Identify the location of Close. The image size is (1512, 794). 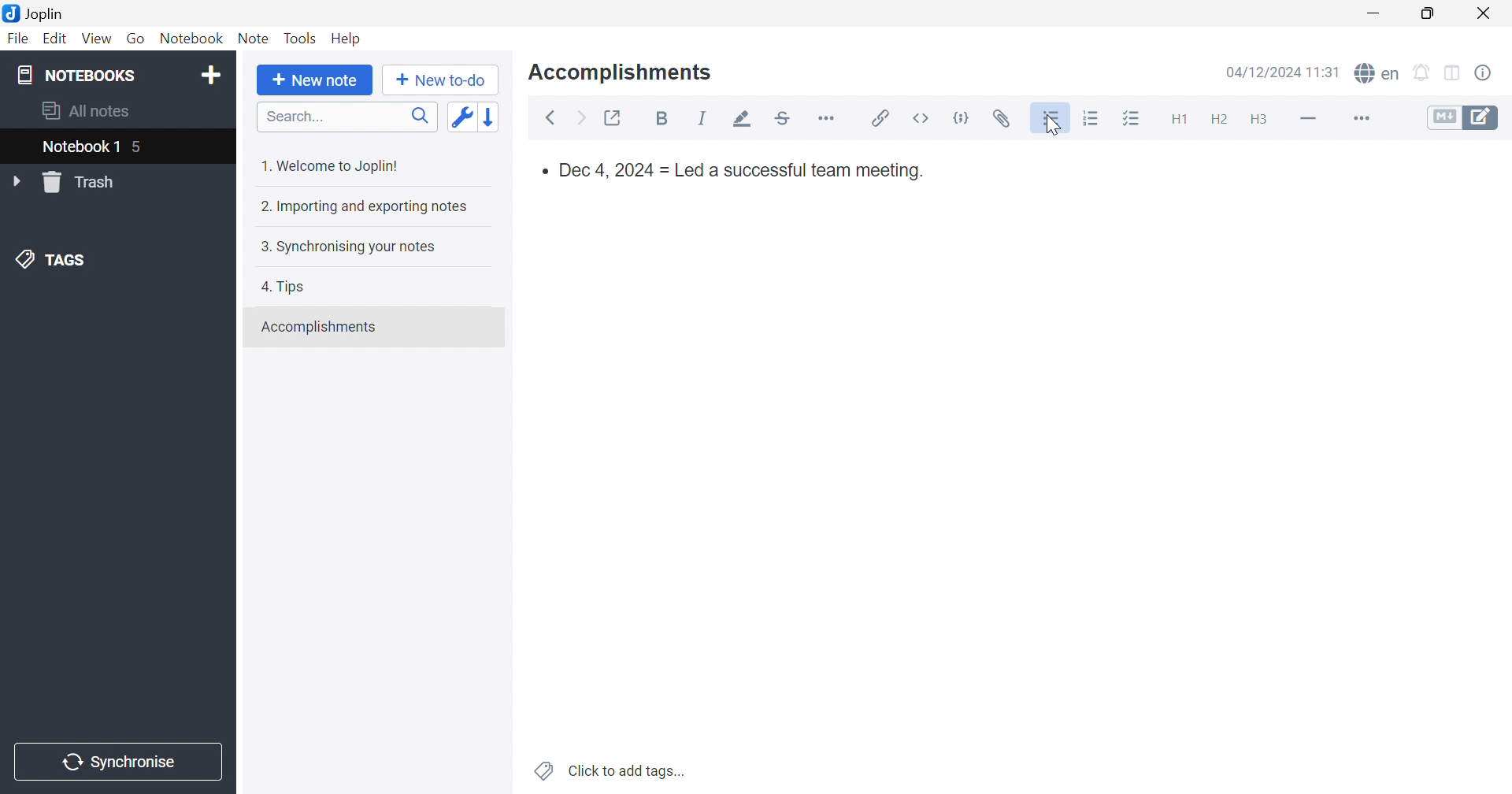
(1483, 13).